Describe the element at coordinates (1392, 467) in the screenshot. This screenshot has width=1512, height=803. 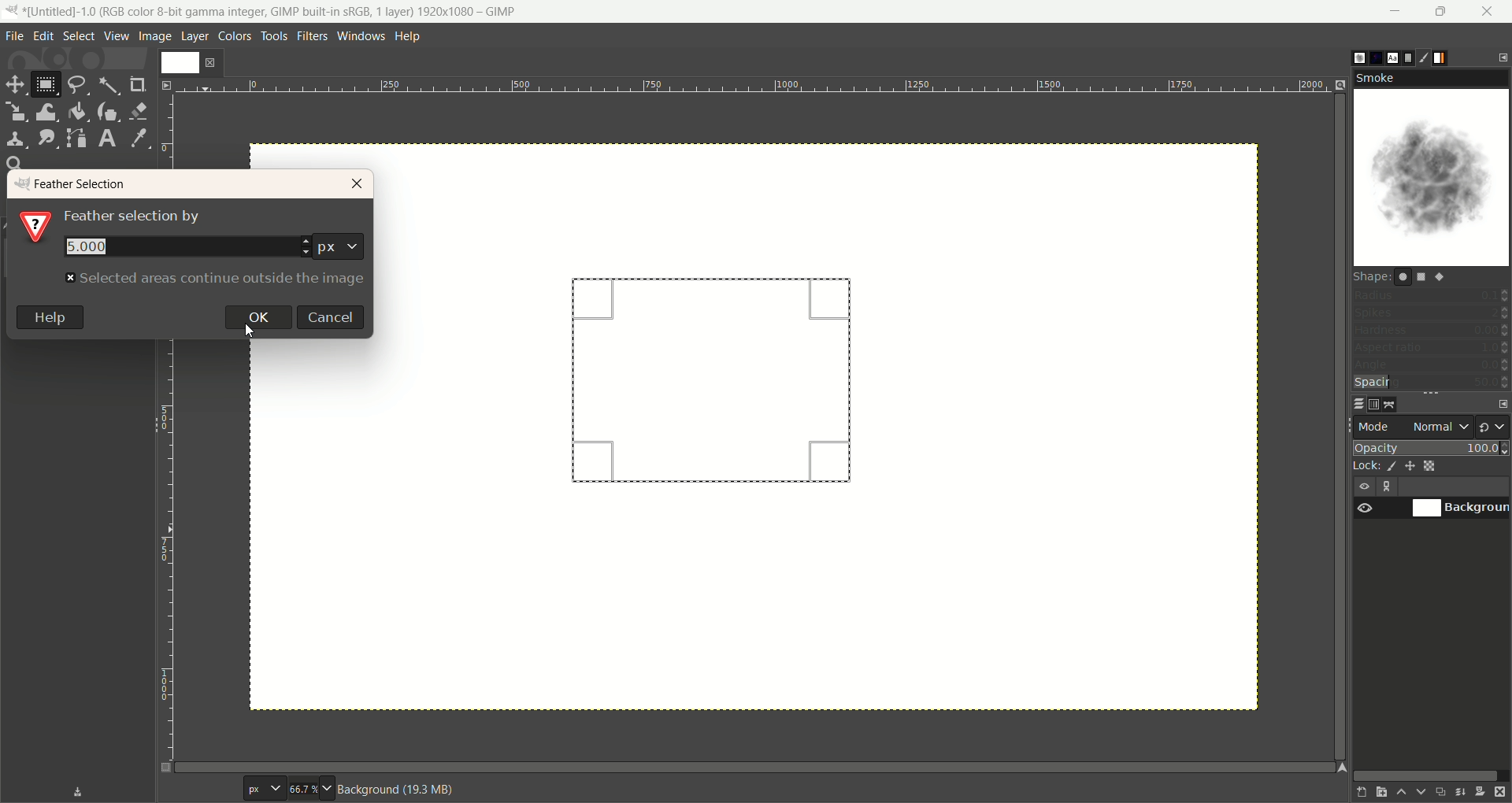
I see `lock pixels` at that location.